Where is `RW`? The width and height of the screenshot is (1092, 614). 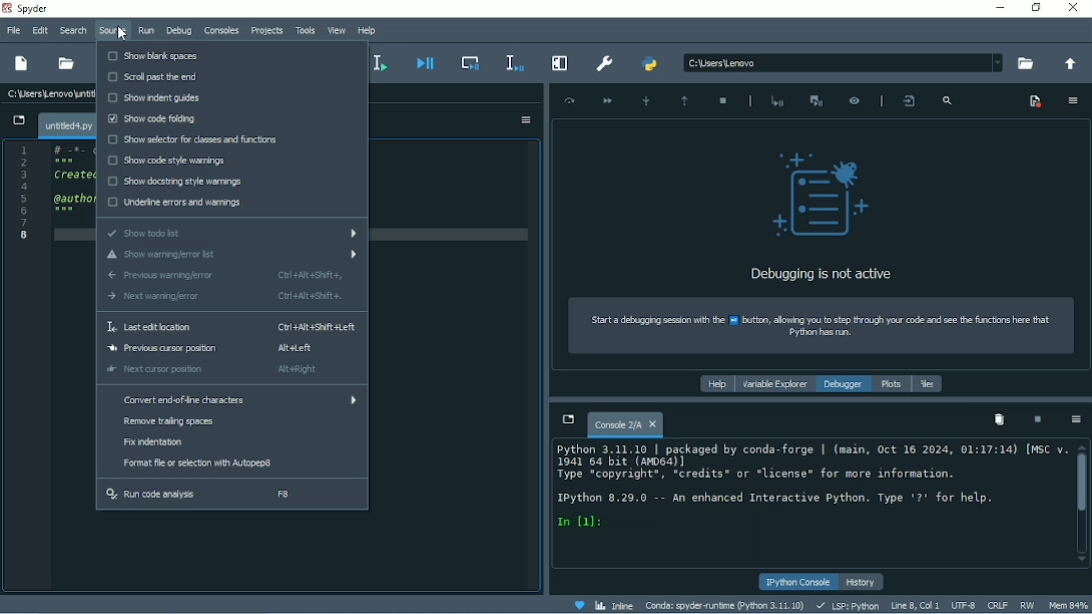
RW is located at coordinates (1028, 605).